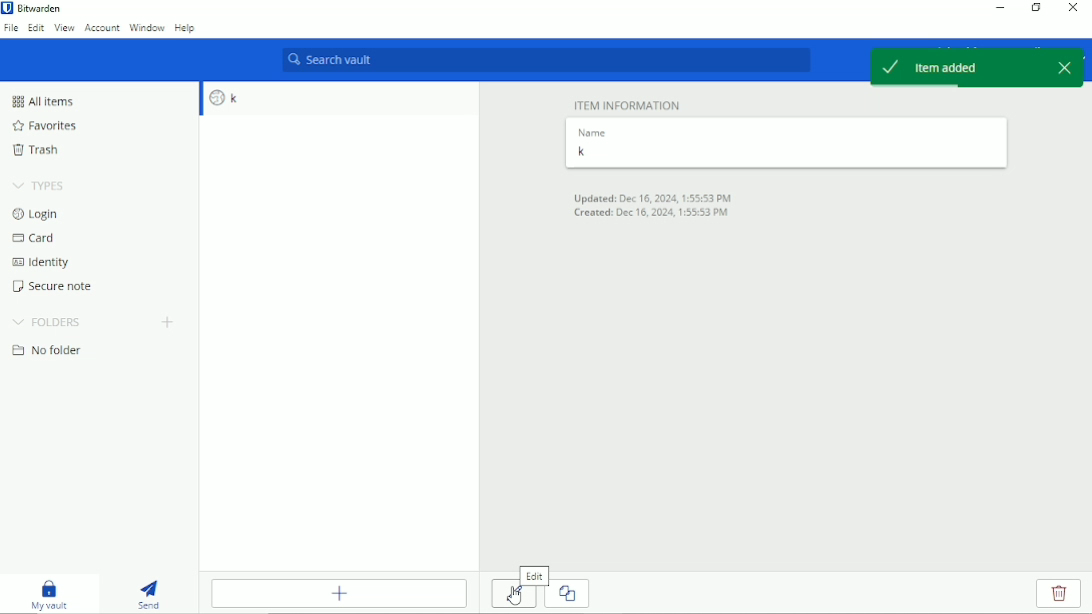 This screenshot has height=614, width=1092. What do you see at coordinates (1059, 594) in the screenshot?
I see `Delete` at bounding box center [1059, 594].